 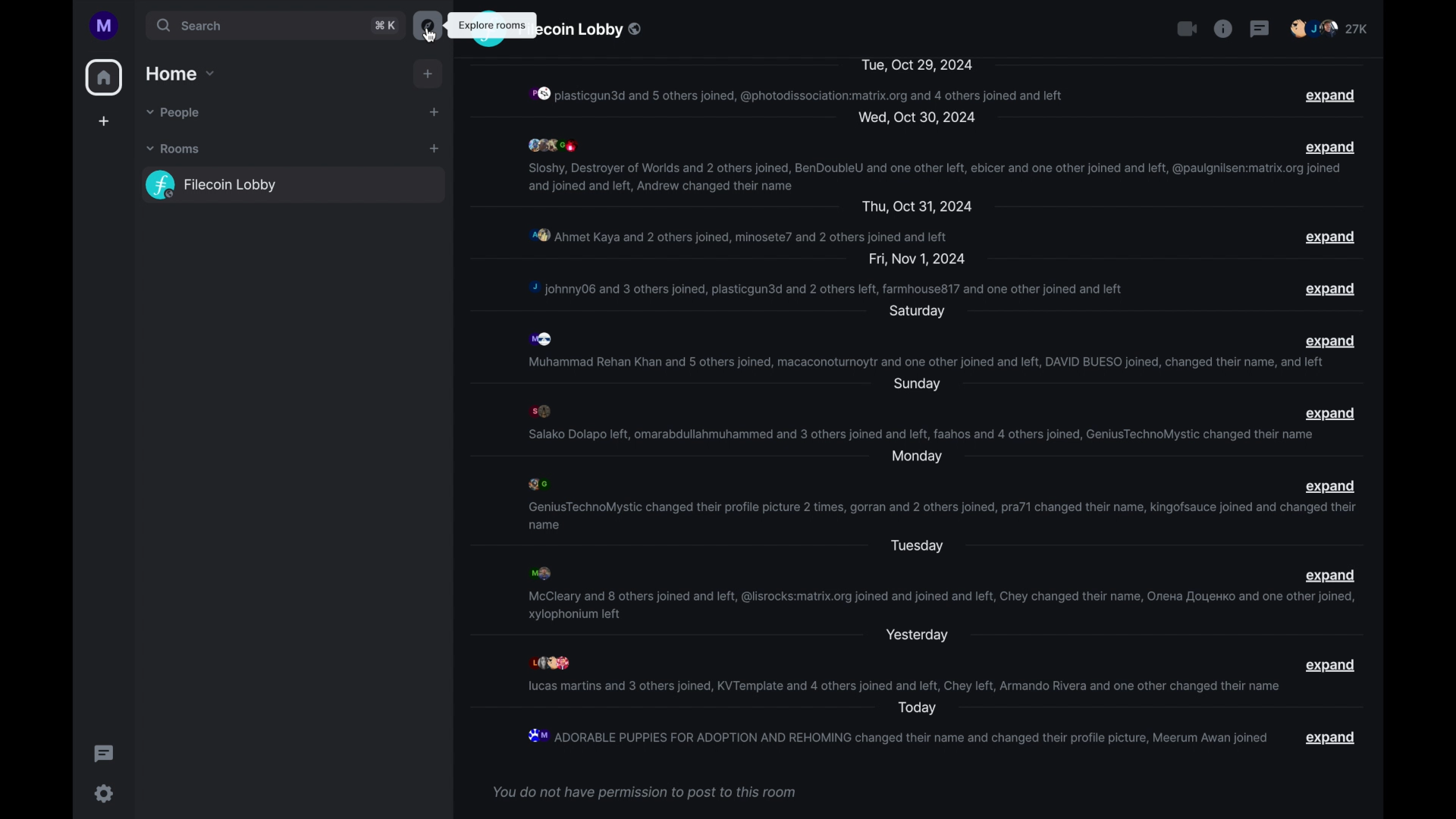 What do you see at coordinates (175, 115) in the screenshot?
I see `people dropdown` at bounding box center [175, 115].